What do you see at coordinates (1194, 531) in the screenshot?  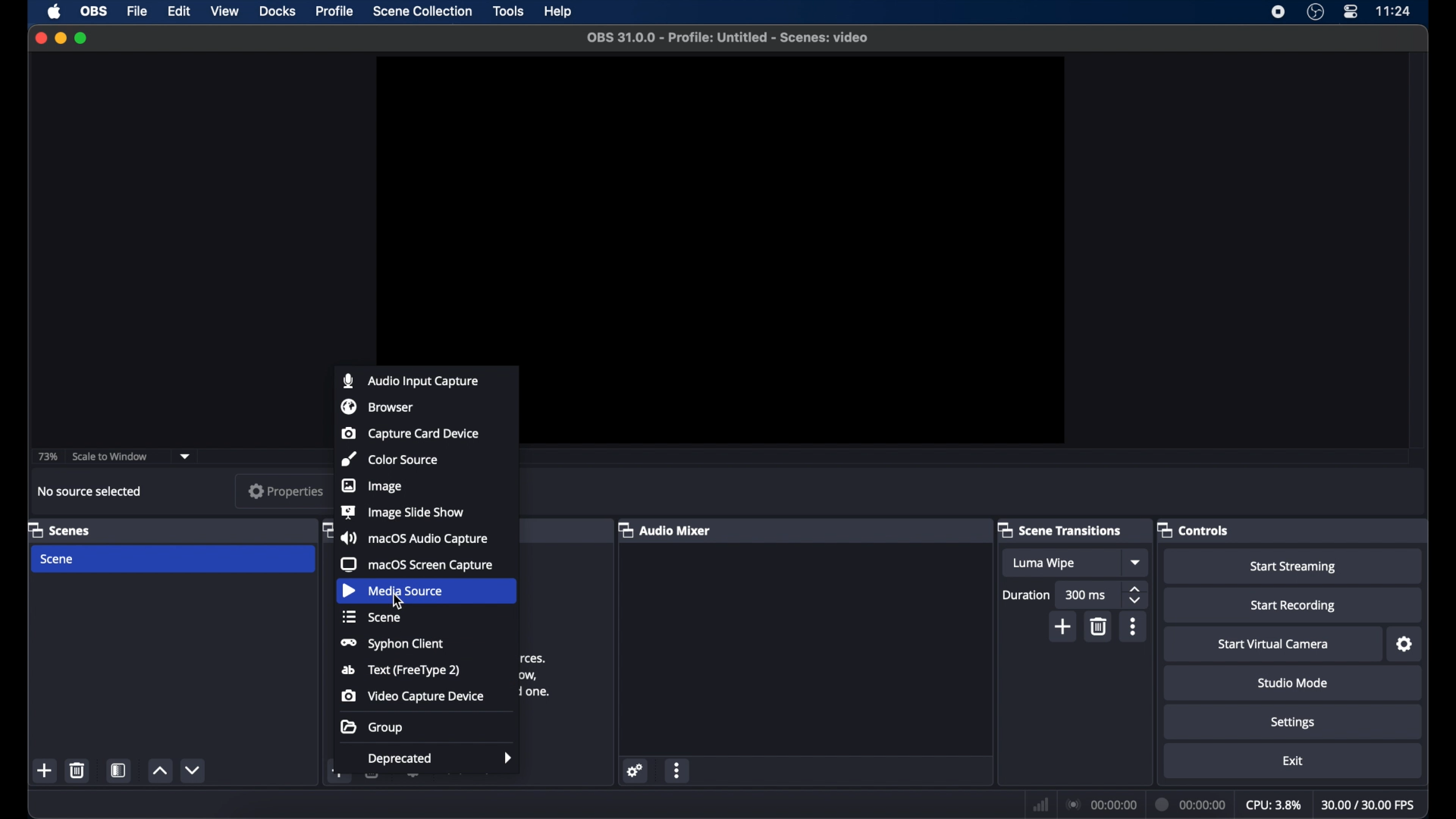 I see `controls` at bounding box center [1194, 531].